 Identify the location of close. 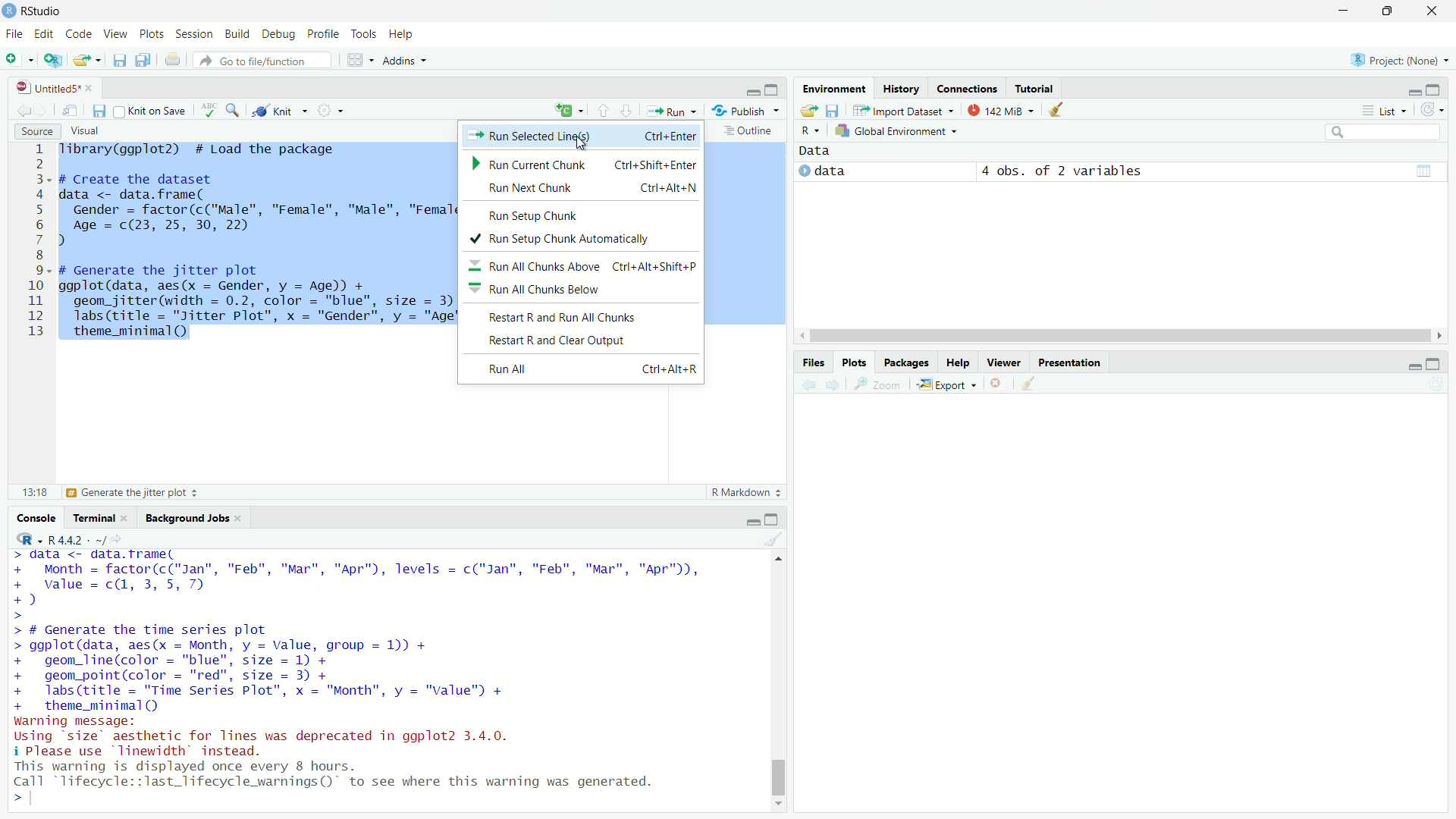
(243, 517).